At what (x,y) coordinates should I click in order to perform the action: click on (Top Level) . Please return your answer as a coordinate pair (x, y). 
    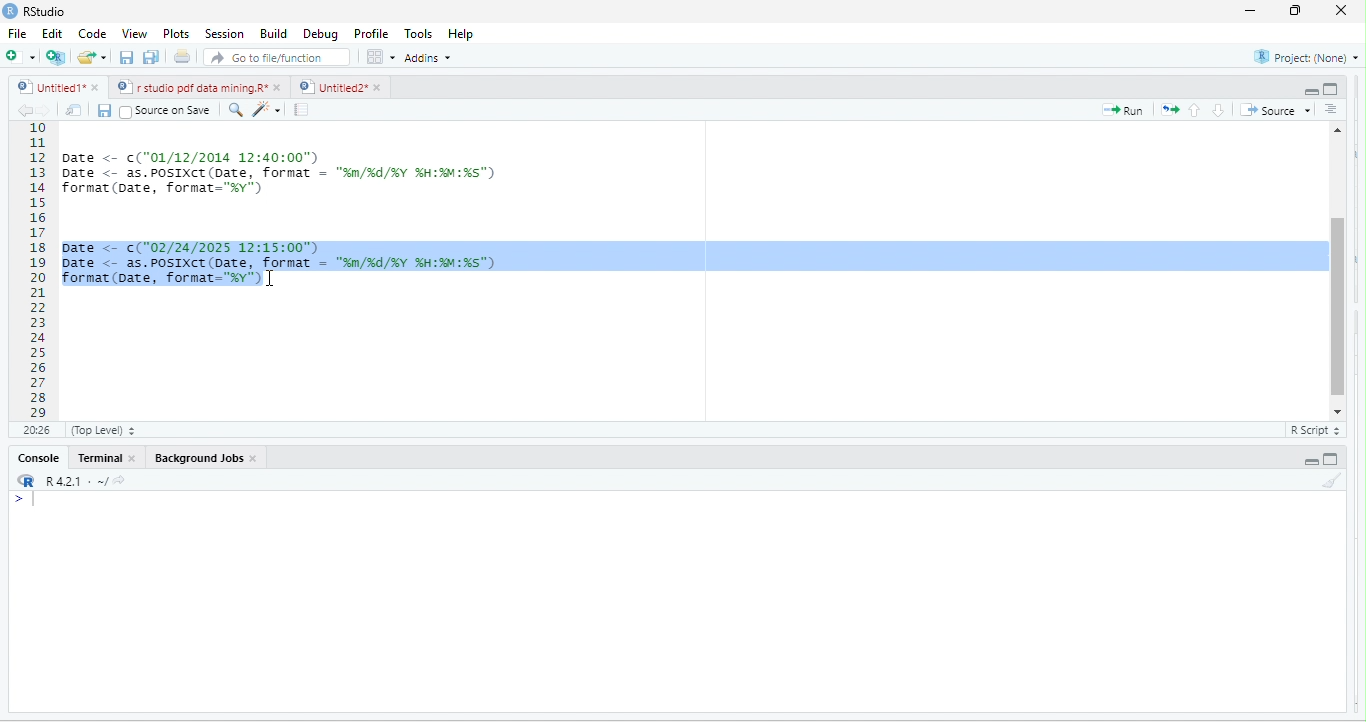
    Looking at the image, I should click on (100, 433).